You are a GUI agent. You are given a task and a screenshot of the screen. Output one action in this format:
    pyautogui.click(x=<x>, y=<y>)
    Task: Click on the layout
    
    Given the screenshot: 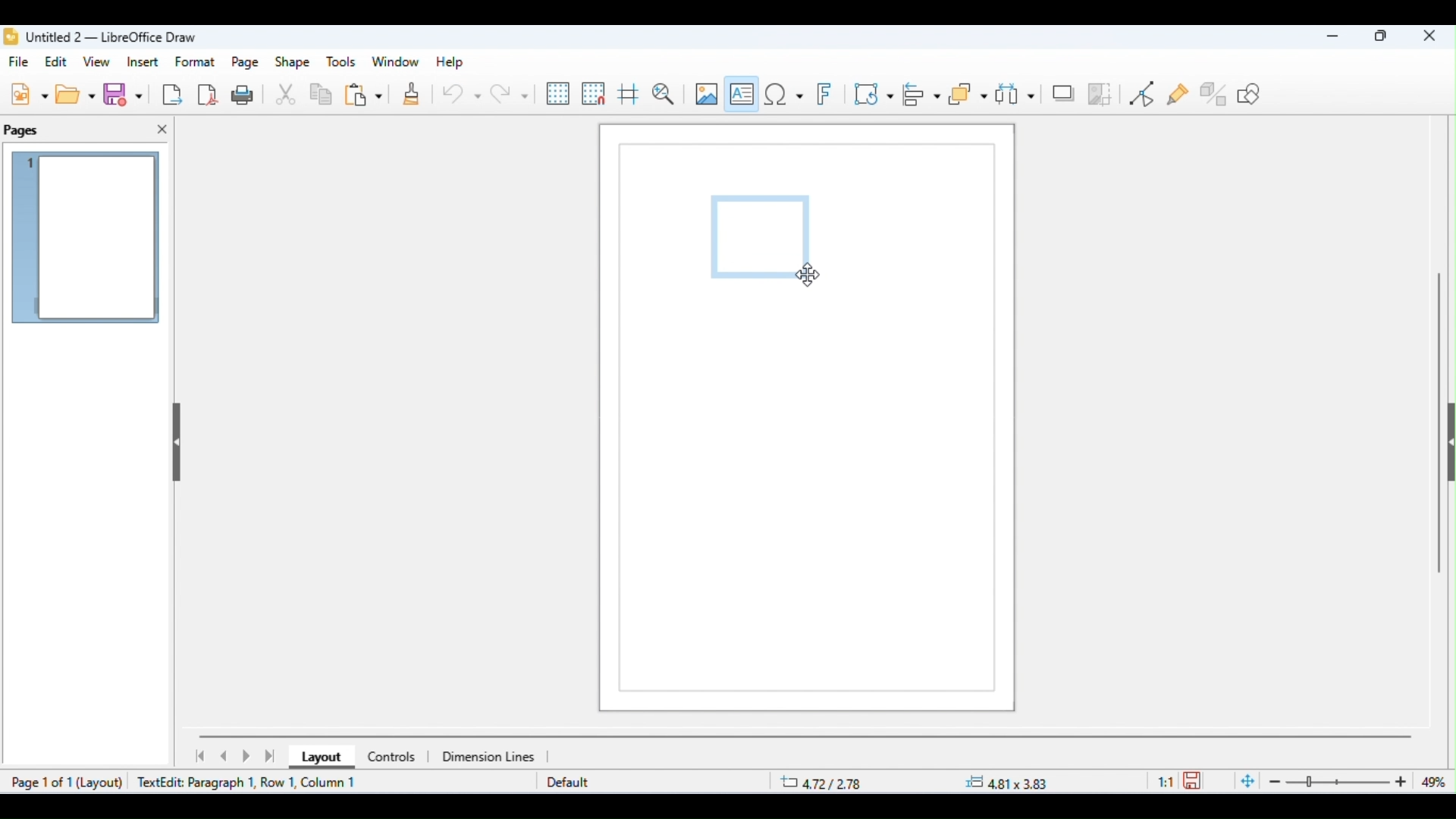 What is the action you would take?
    pyautogui.click(x=105, y=783)
    